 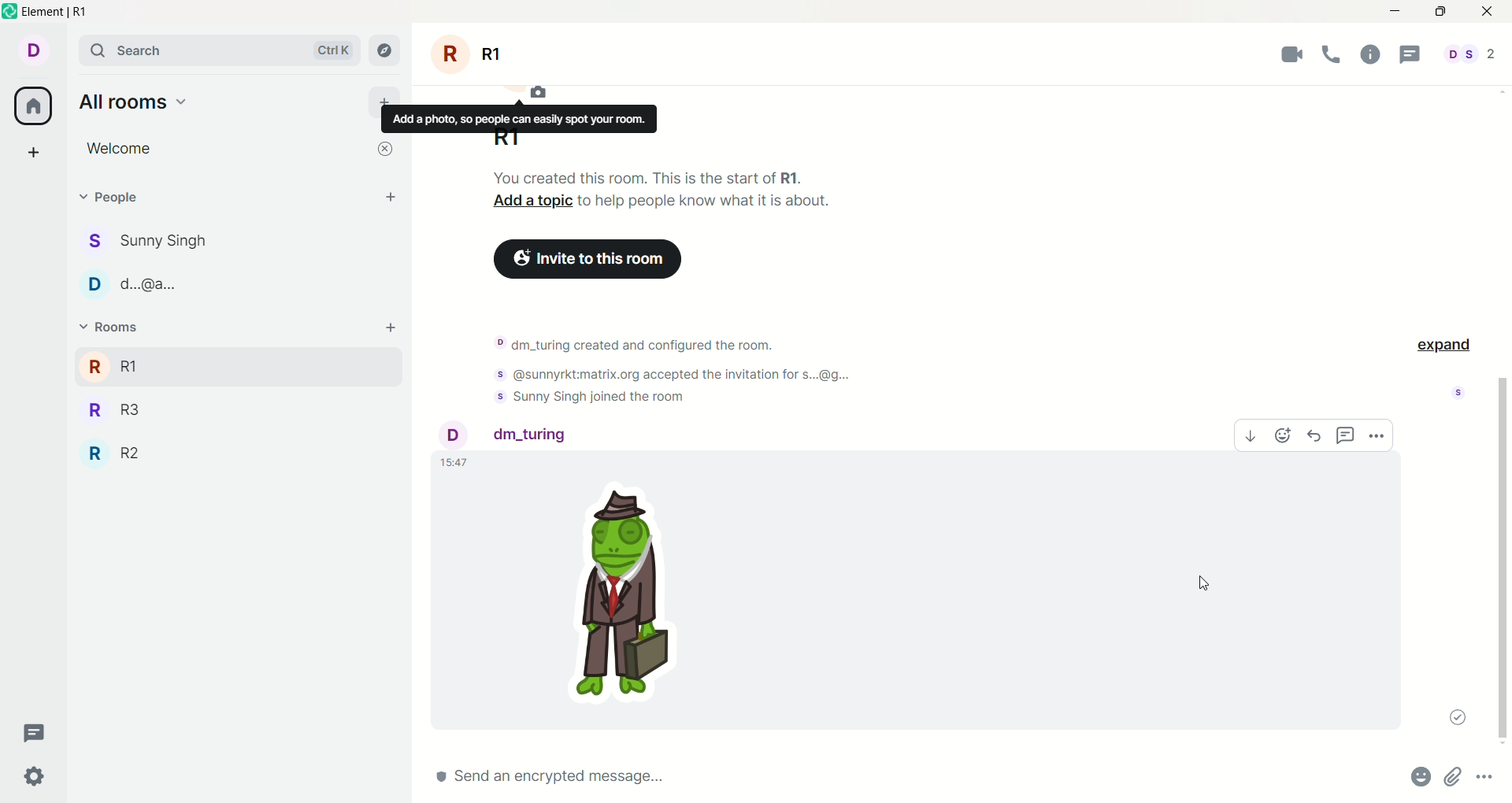 What do you see at coordinates (1421, 776) in the screenshot?
I see `Add smiley` at bounding box center [1421, 776].